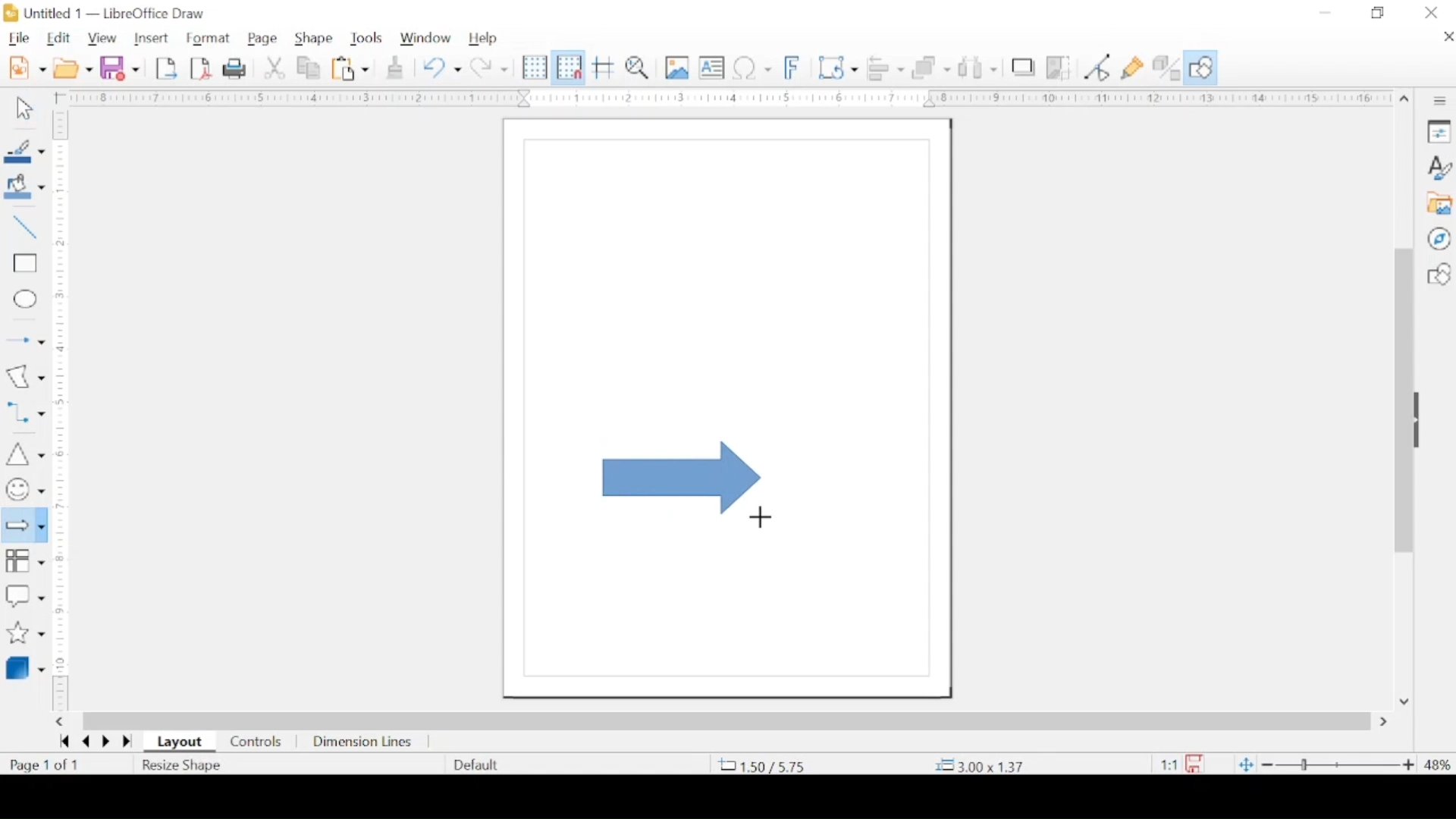  What do you see at coordinates (19, 39) in the screenshot?
I see `file` at bounding box center [19, 39].